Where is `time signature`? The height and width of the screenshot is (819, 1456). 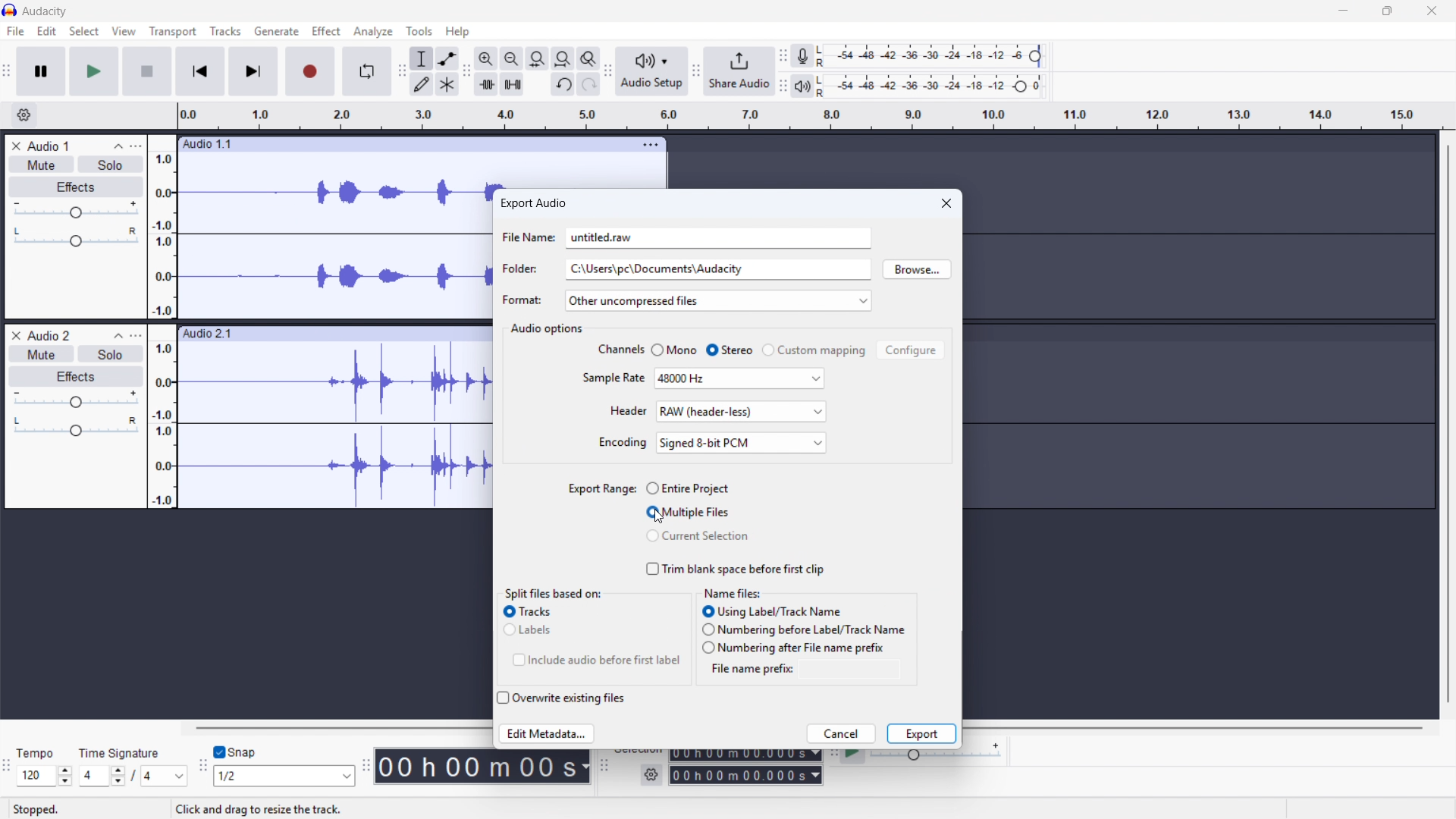 time signature is located at coordinates (121, 753).